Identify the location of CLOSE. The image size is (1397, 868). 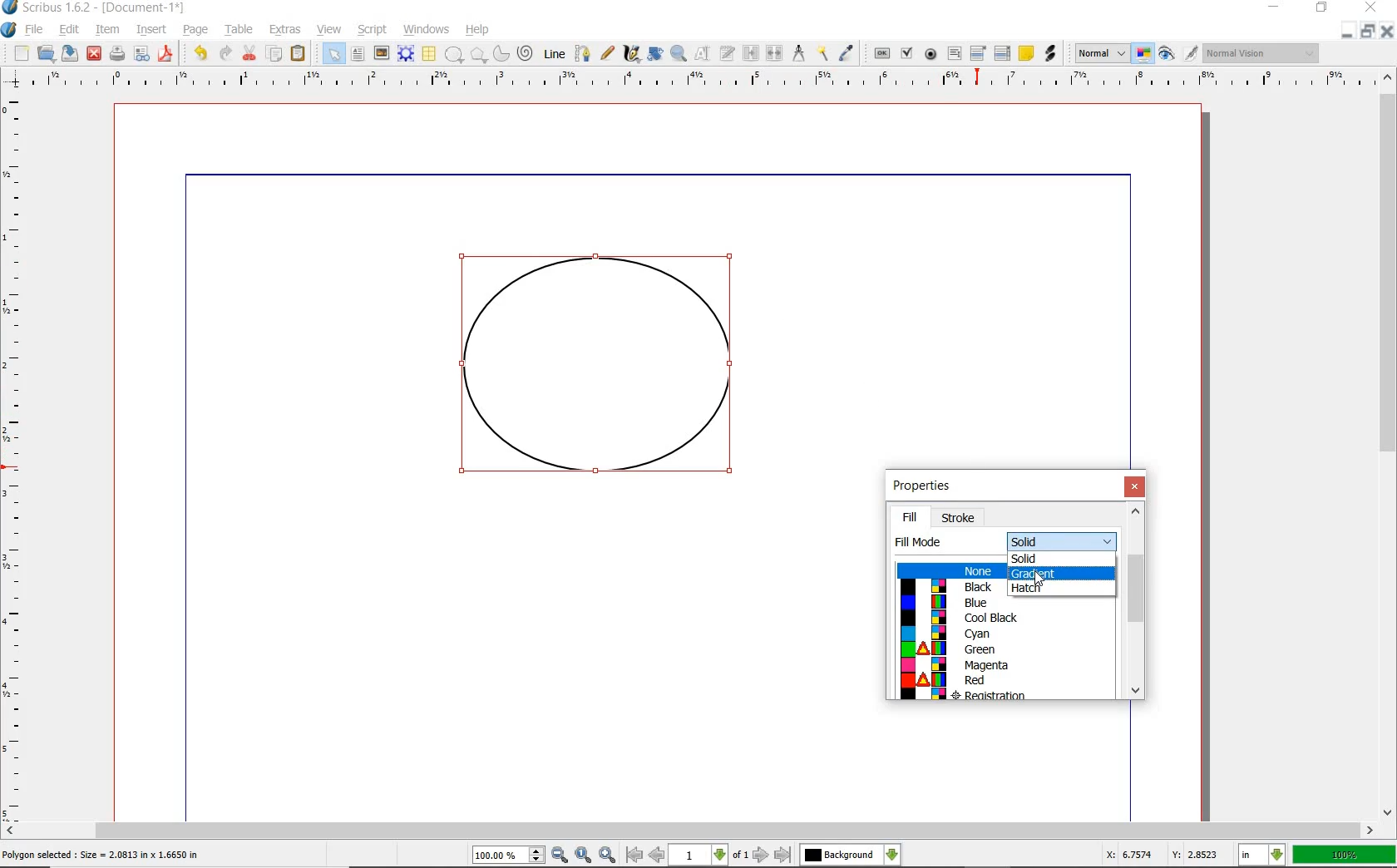
(94, 54).